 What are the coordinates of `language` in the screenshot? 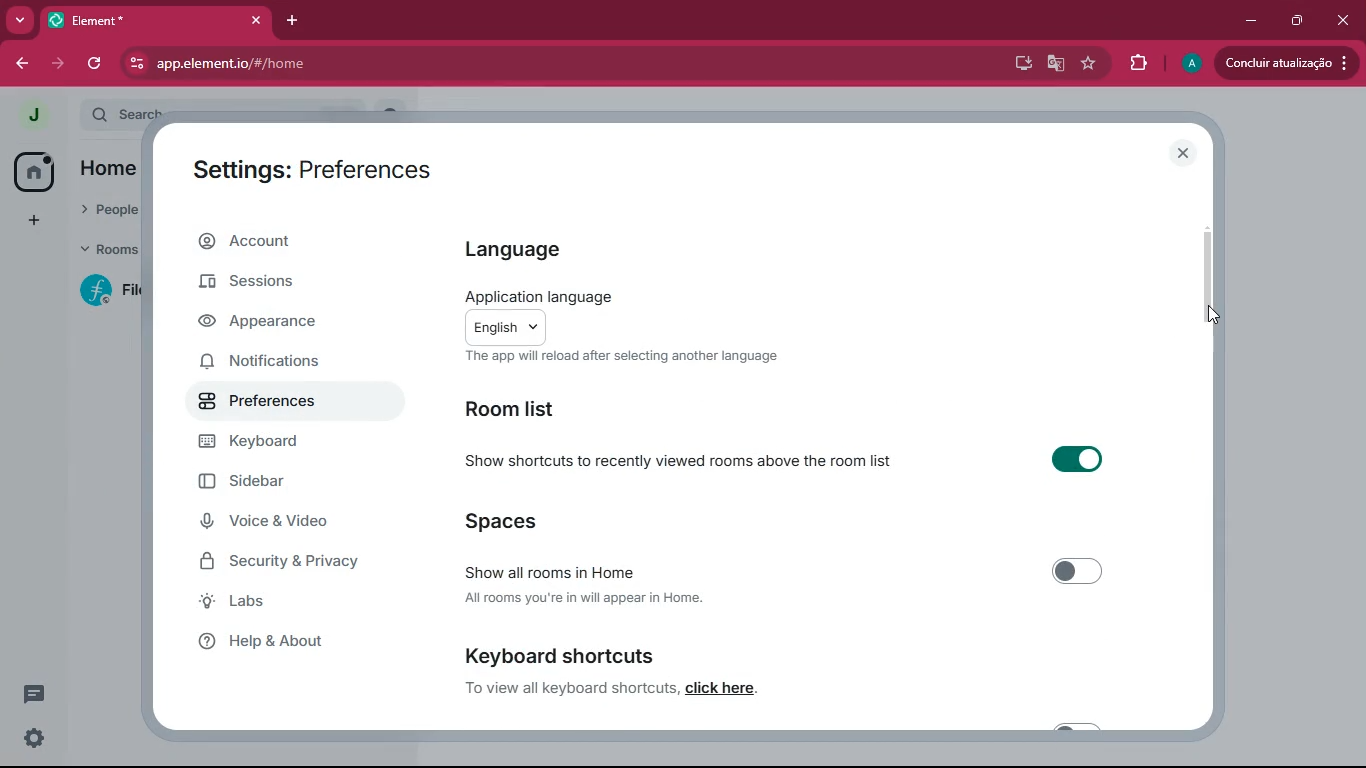 It's located at (517, 245).